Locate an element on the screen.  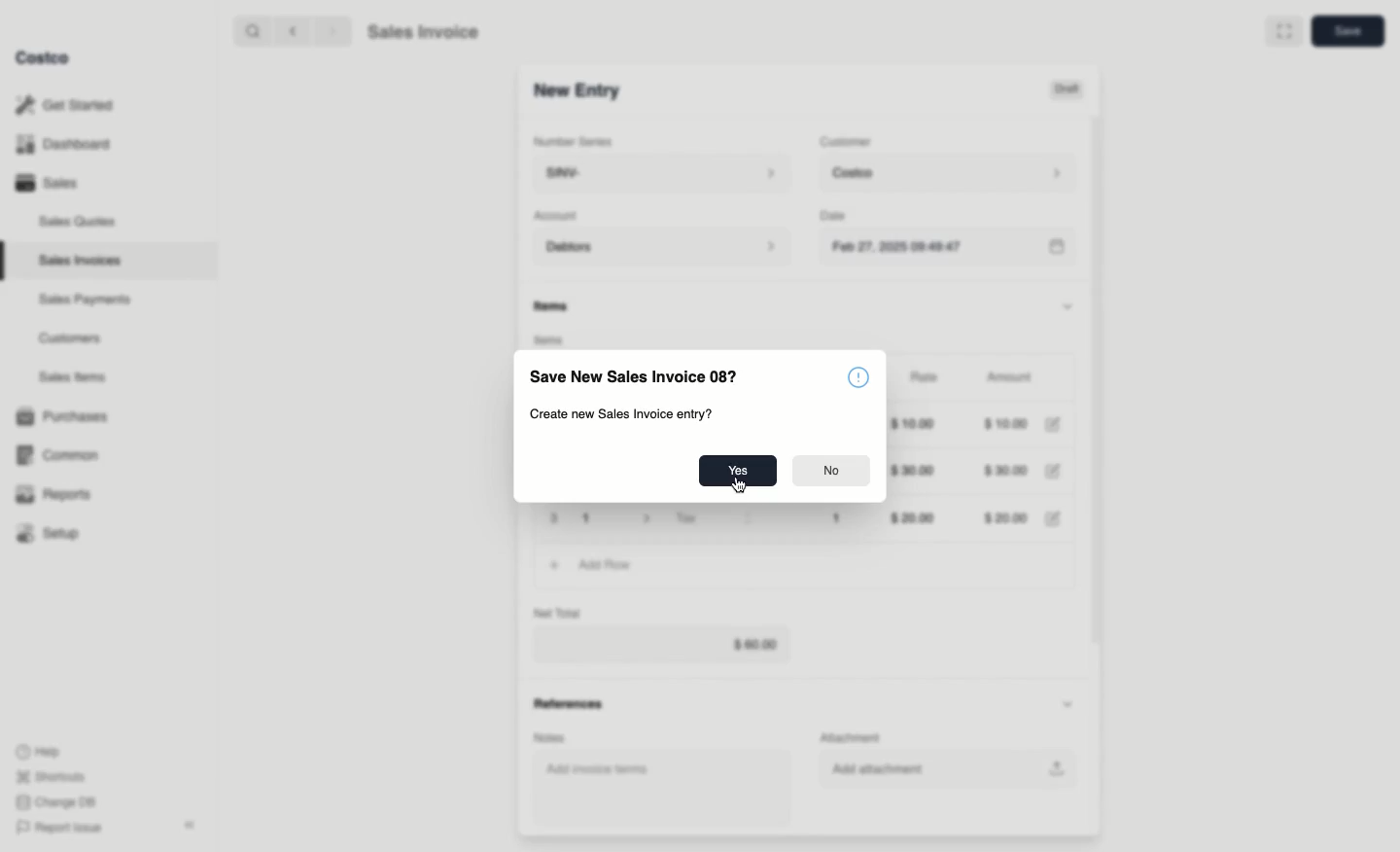
Setup is located at coordinates (50, 535).